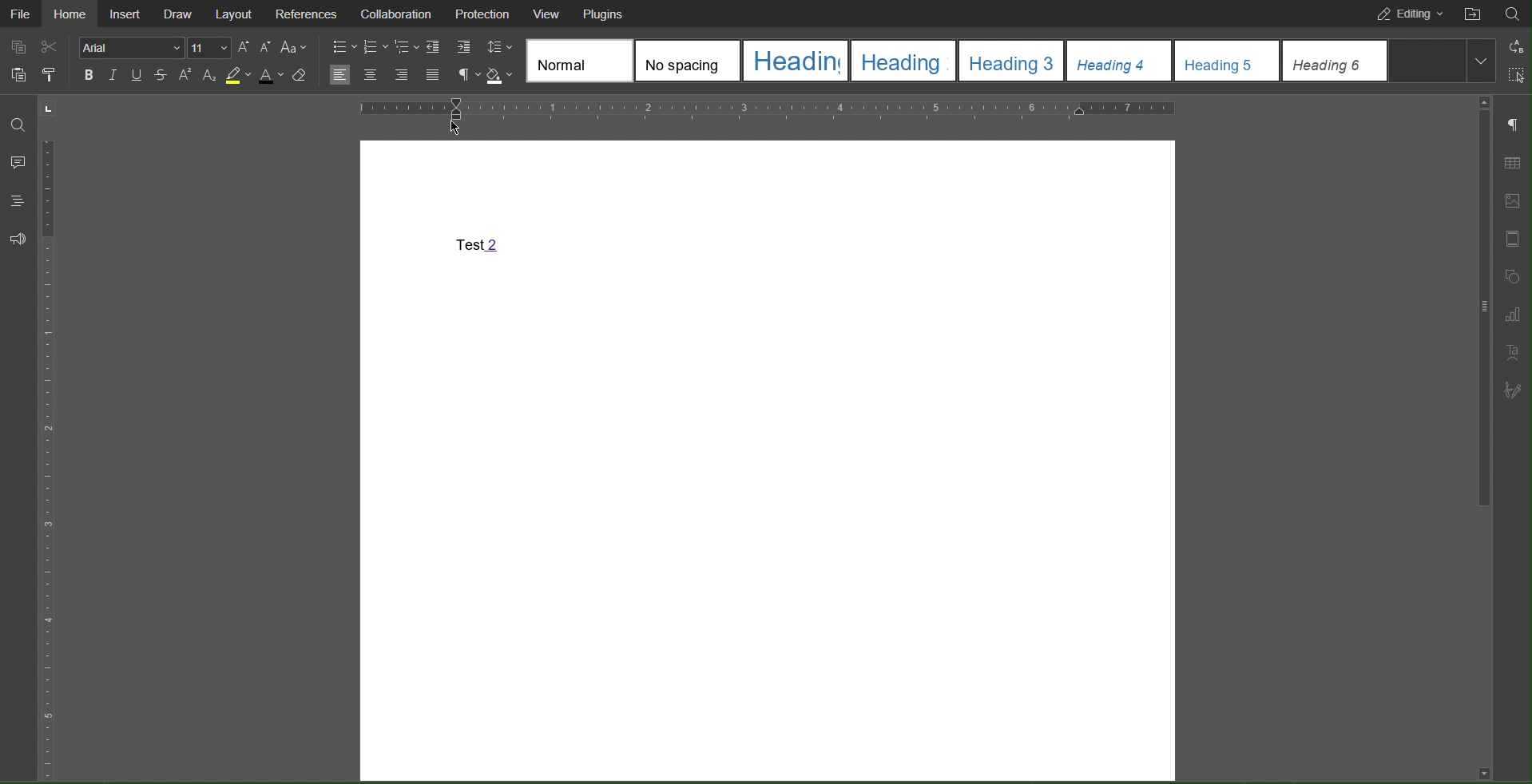 The height and width of the screenshot is (784, 1532). Describe the element at coordinates (1514, 14) in the screenshot. I see `Search` at that location.